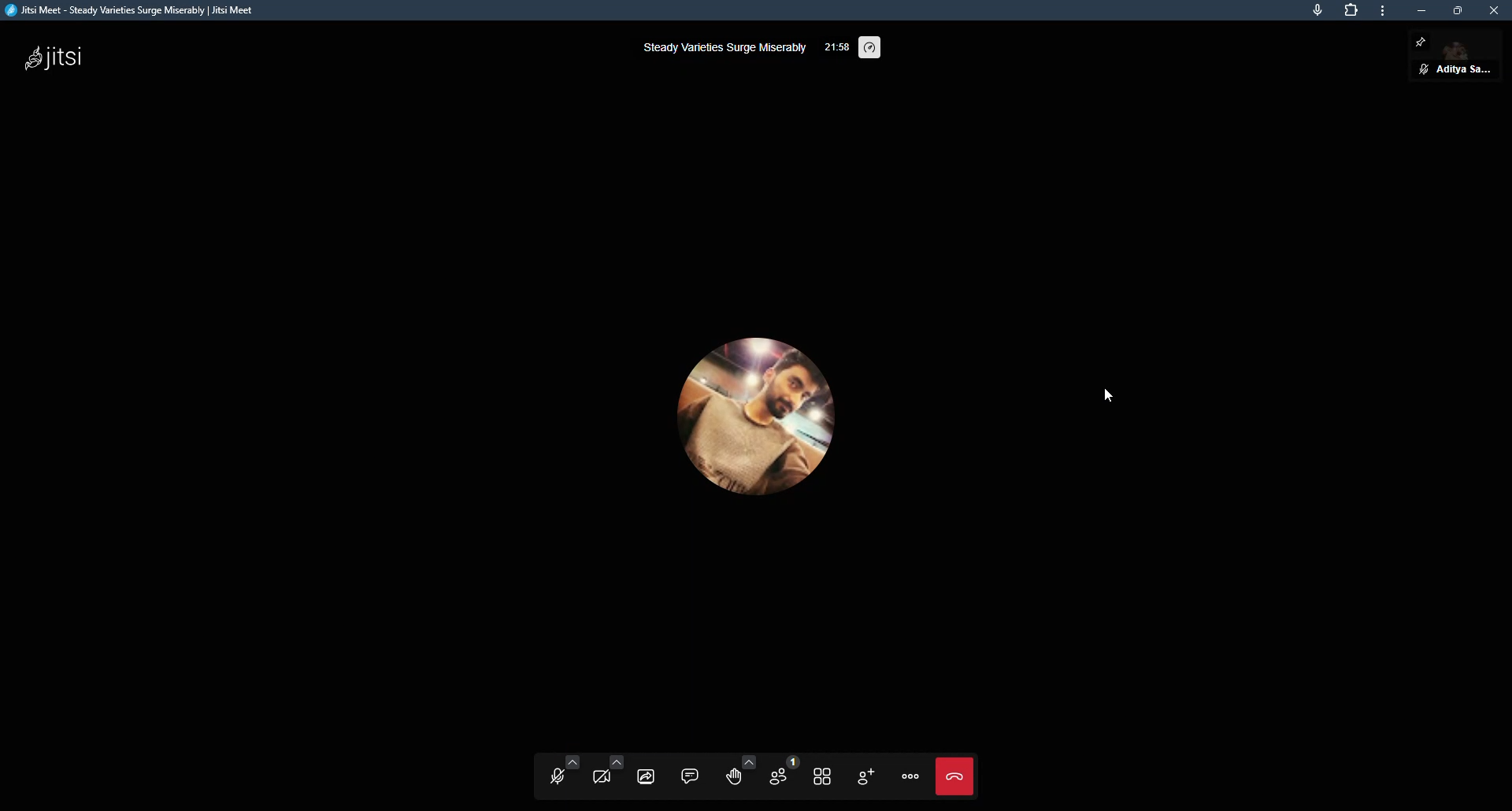 Image resolution: width=1512 pixels, height=811 pixels. What do you see at coordinates (1463, 71) in the screenshot?
I see `profile` at bounding box center [1463, 71].